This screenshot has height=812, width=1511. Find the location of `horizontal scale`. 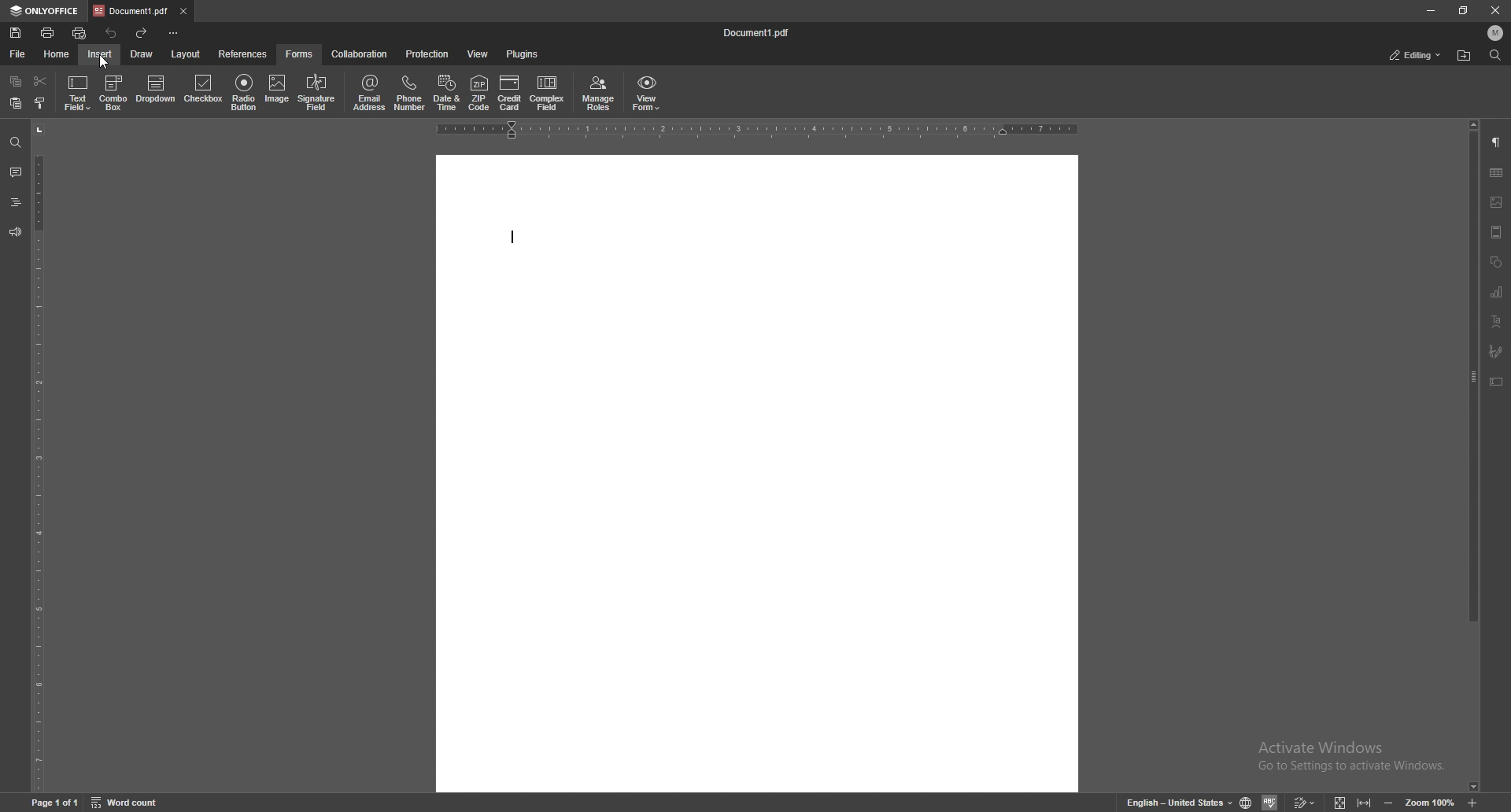

horizontal scale is located at coordinates (758, 131).